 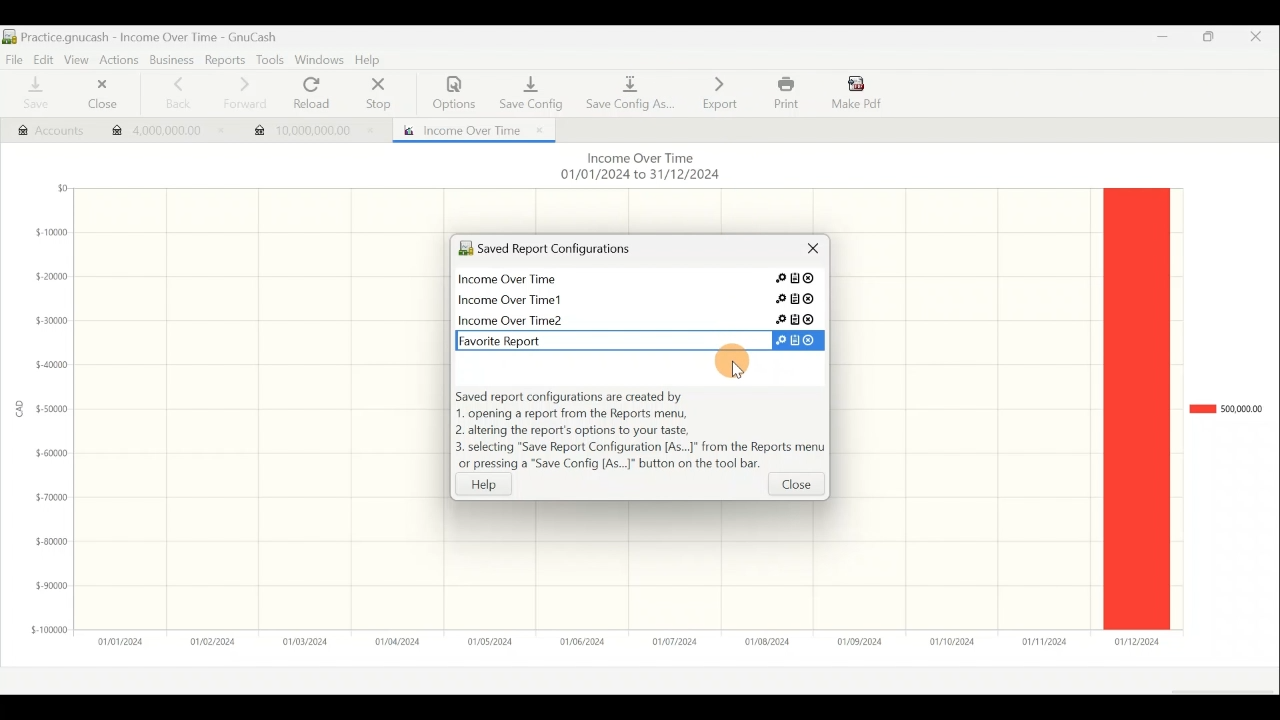 I want to click on Save, so click(x=33, y=94).